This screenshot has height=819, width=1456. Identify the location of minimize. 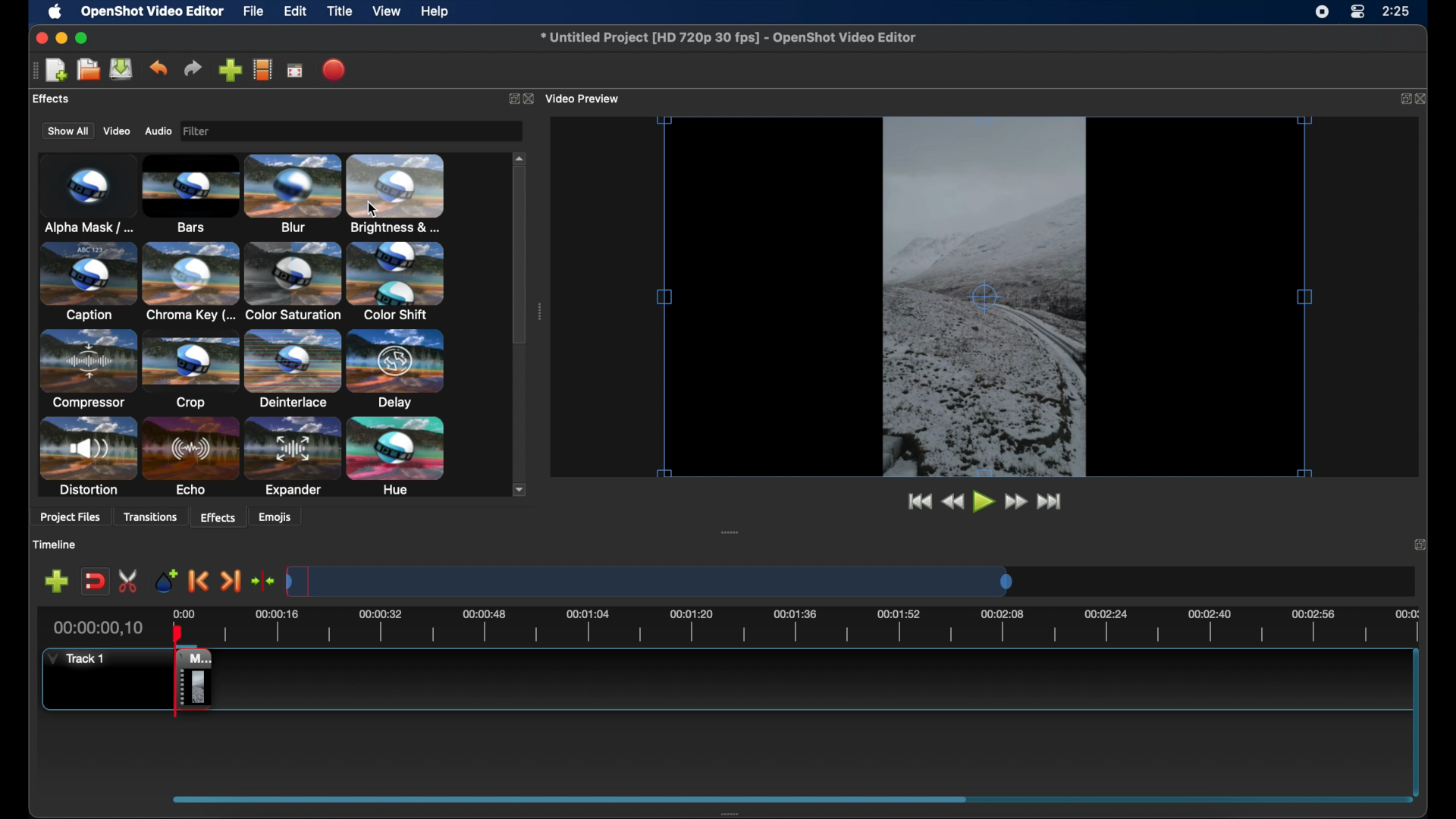
(62, 37).